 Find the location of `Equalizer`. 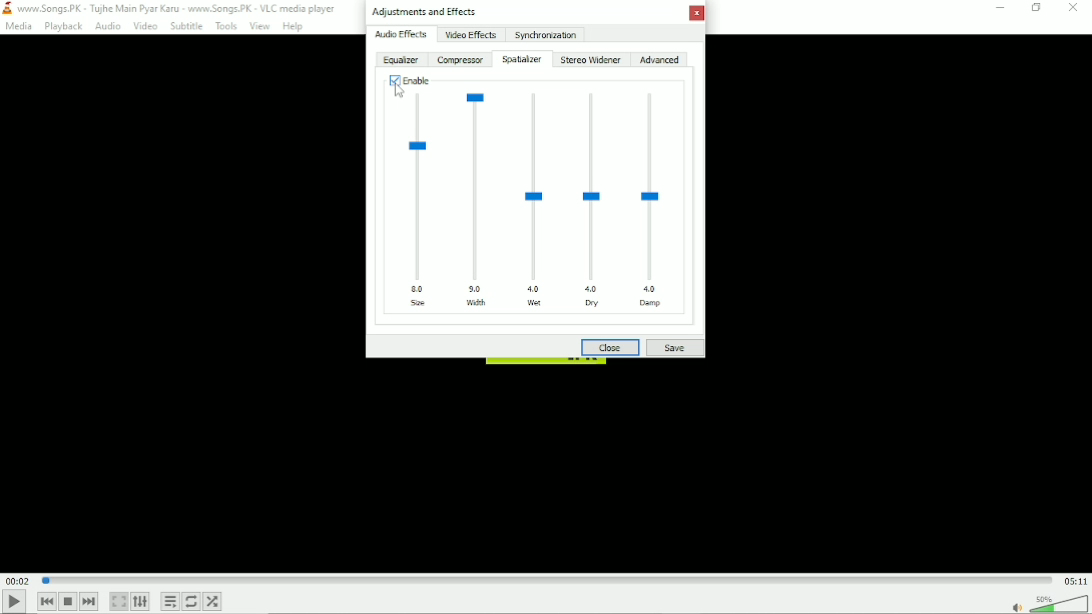

Equalizer is located at coordinates (401, 60).